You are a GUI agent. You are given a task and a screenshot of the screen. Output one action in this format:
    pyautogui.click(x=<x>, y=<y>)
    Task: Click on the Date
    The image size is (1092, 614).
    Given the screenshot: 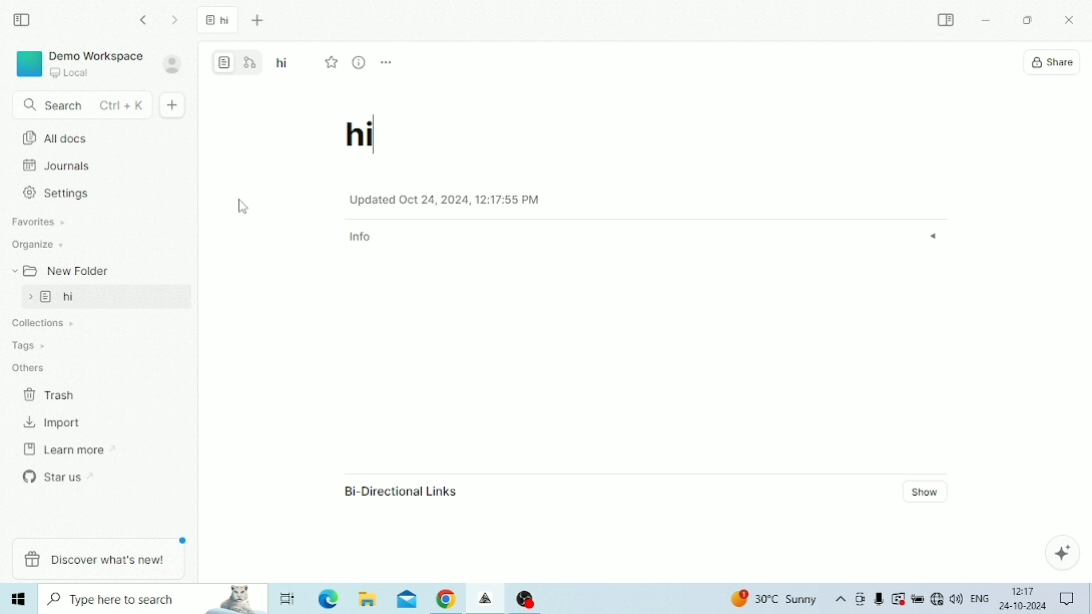 What is the action you would take?
    pyautogui.click(x=1022, y=606)
    